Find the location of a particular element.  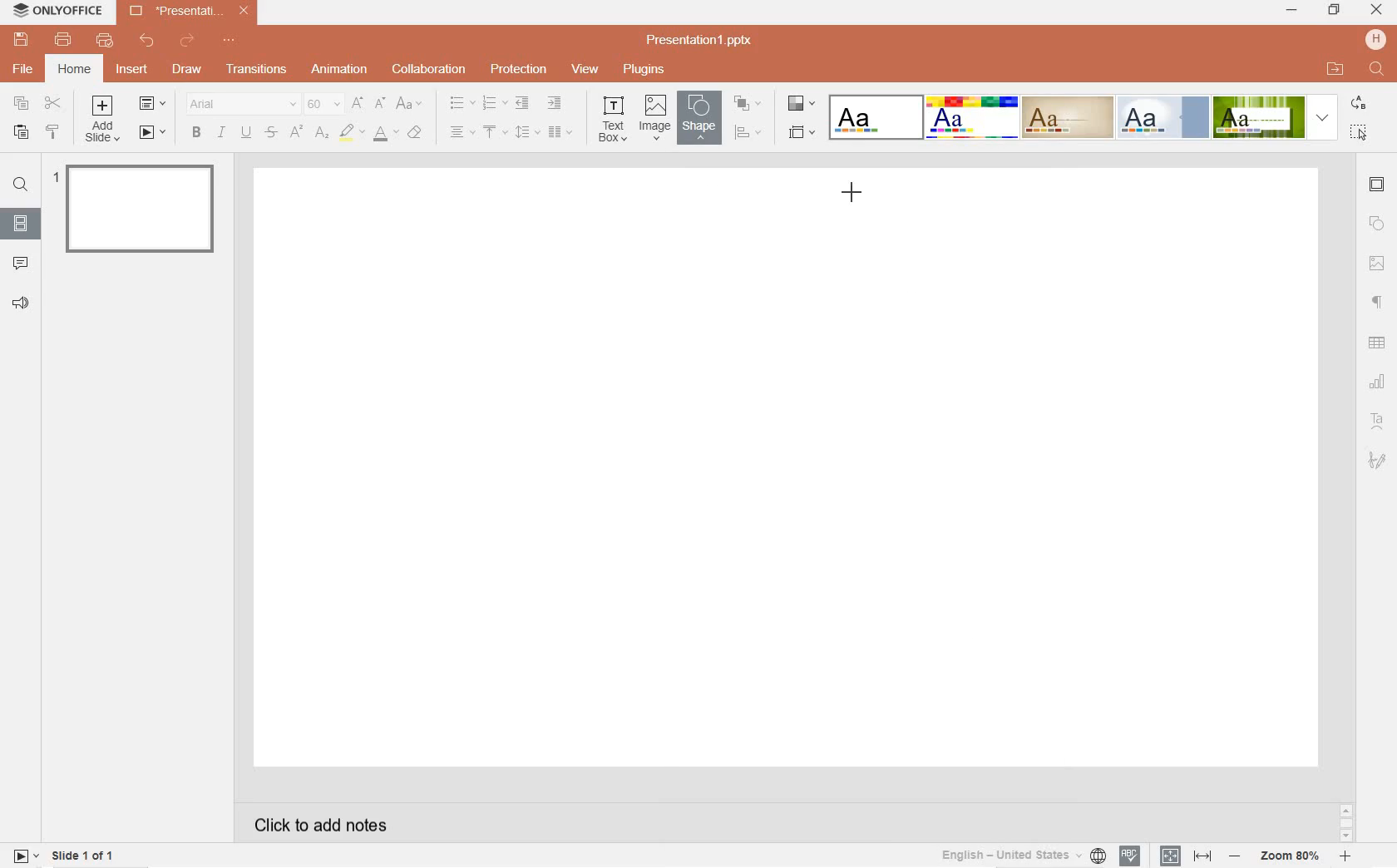

image settings is located at coordinates (1377, 264).